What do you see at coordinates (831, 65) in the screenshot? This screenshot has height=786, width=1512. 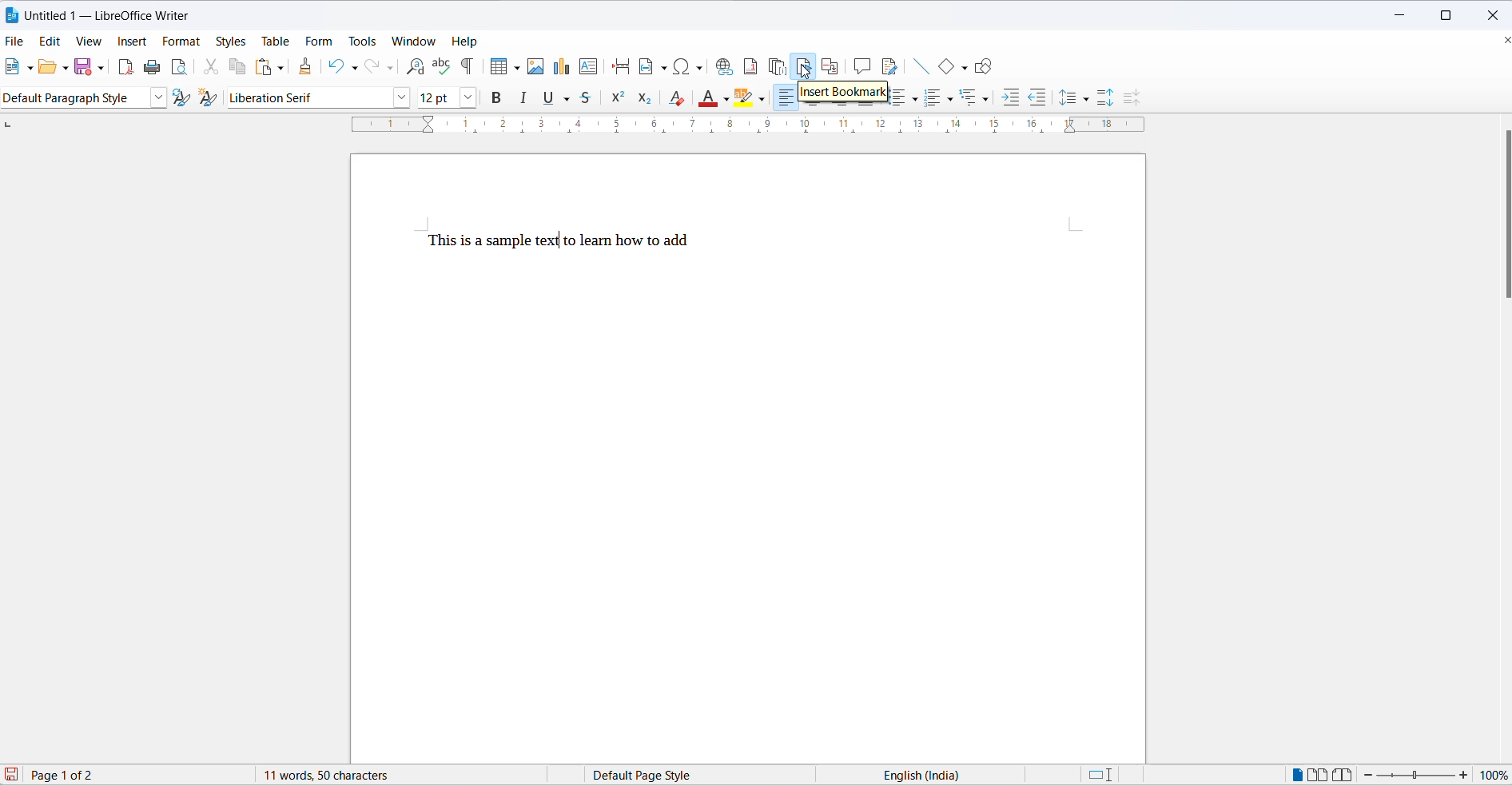 I see `insert cross reference` at bounding box center [831, 65].